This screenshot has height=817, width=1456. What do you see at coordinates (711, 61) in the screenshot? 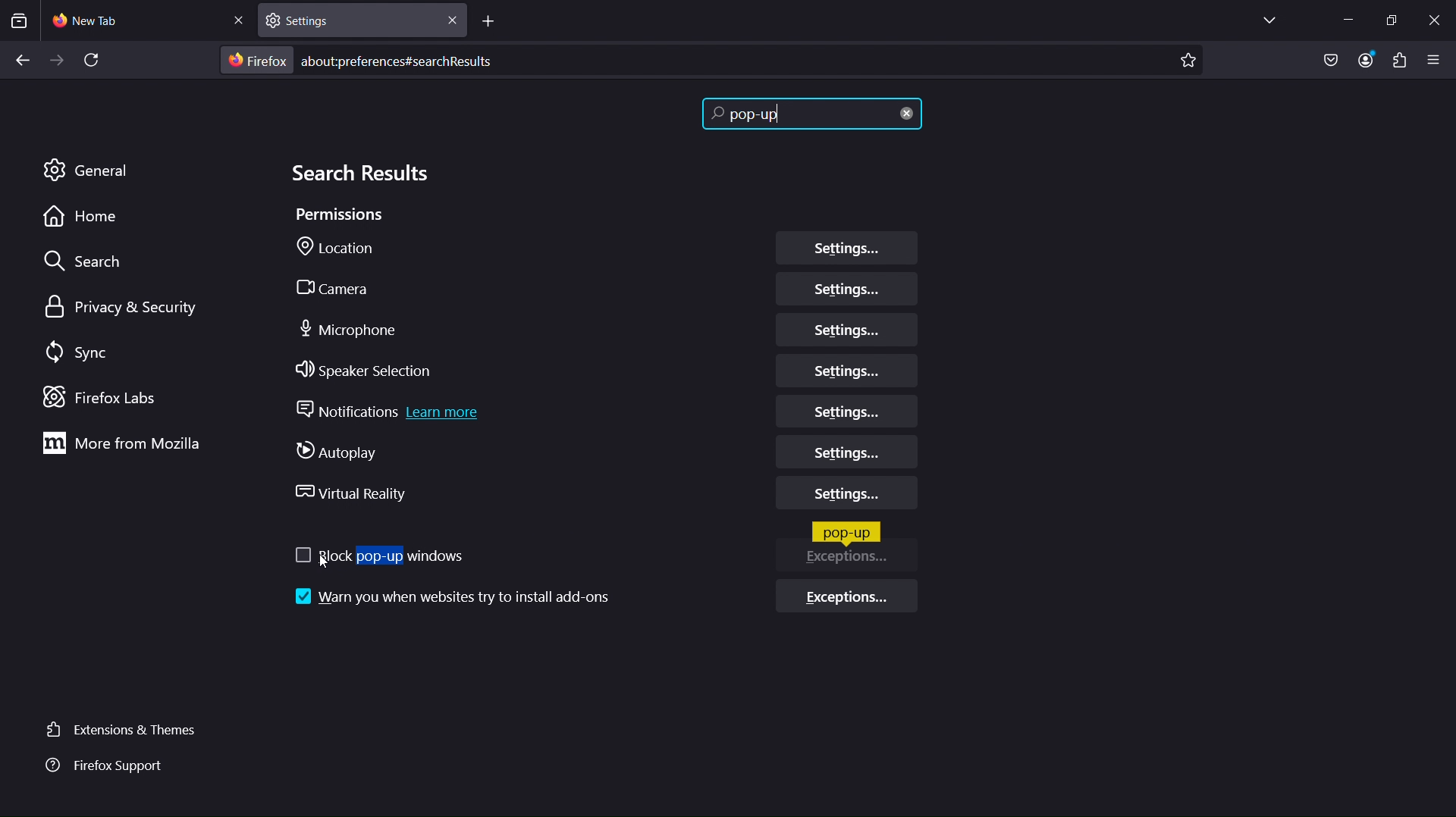
I see `aboutpreferences` at bounding box center [711, 61].